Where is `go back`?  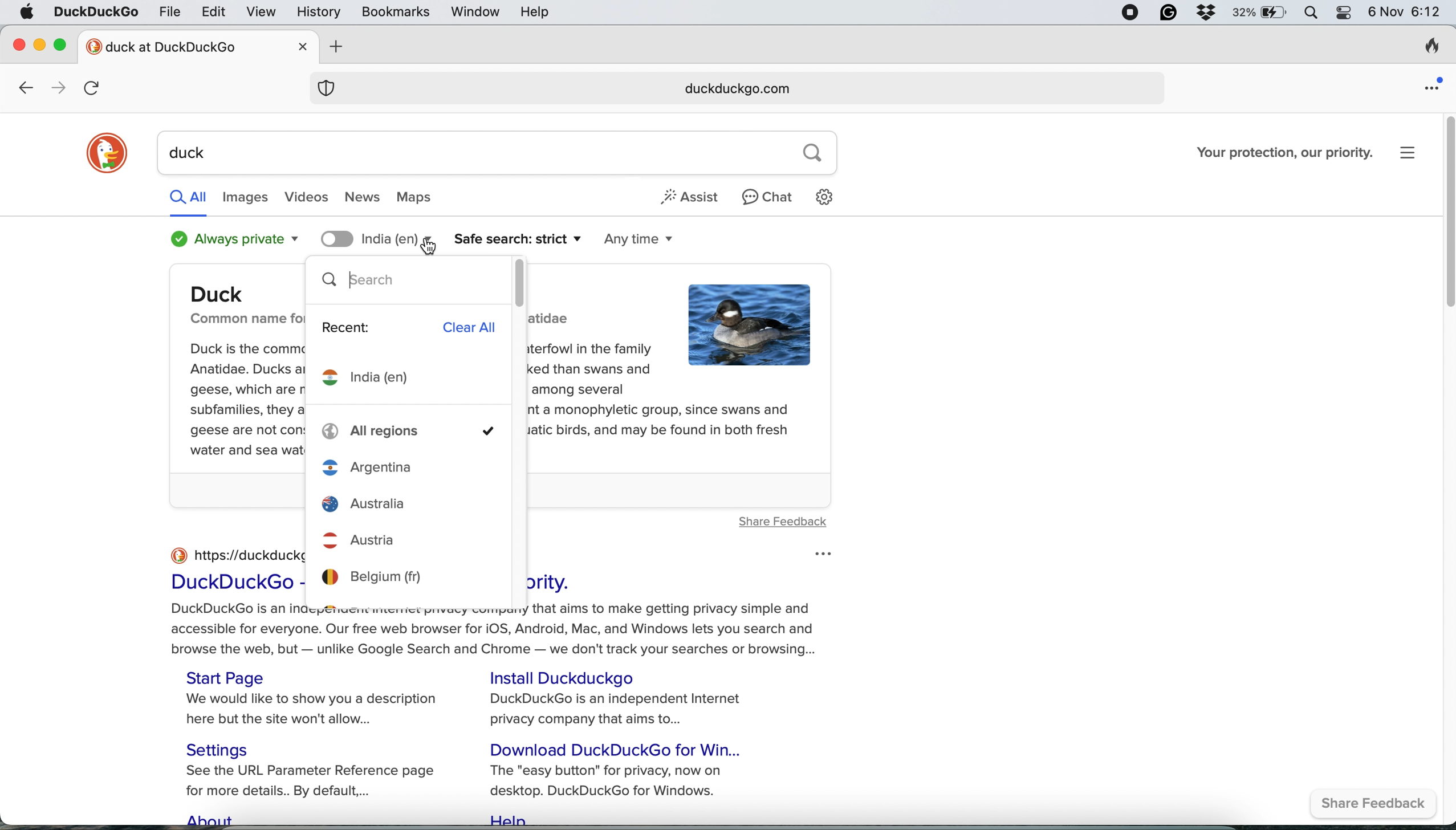 go back is located at coordinates (25, 89).